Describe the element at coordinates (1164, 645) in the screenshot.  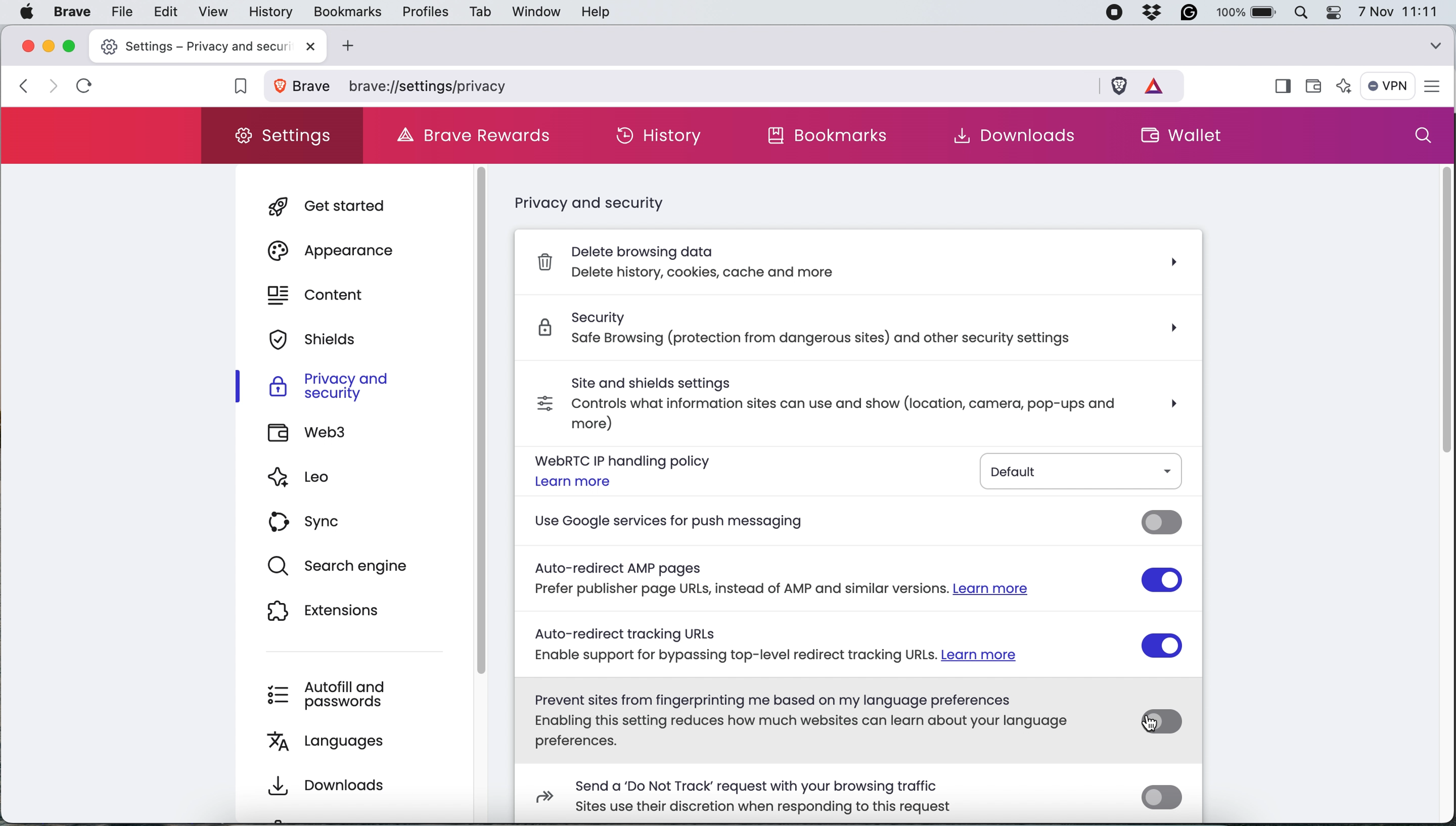
I see `auto redirect tracking URLs toggle switch` at that location.